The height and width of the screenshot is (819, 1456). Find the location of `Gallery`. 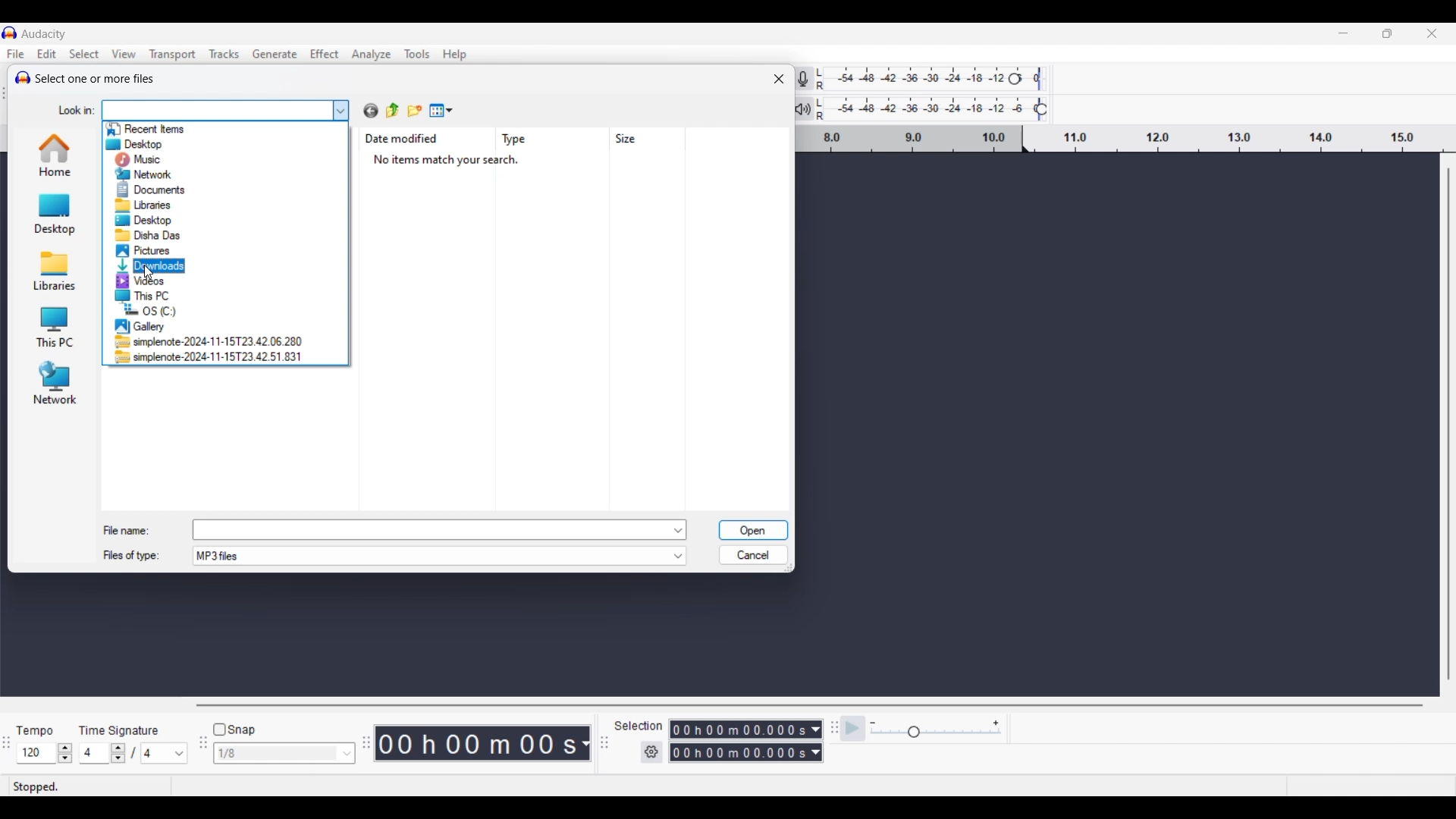

Gallery is located at coordinates (142, 326).